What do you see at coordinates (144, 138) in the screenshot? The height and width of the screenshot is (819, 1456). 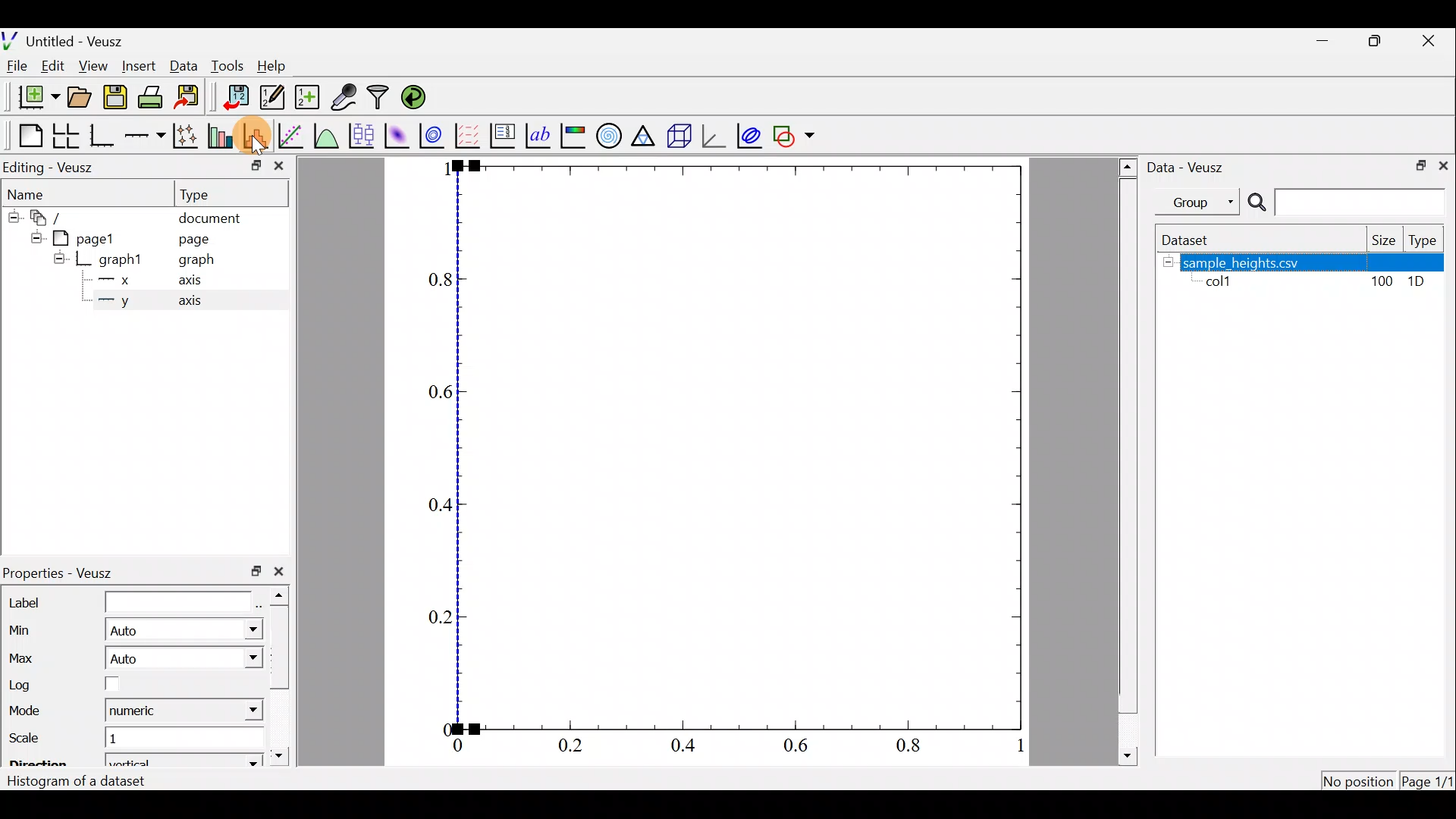 I see `add an axis to the plot` at bounding box center [144, 138].